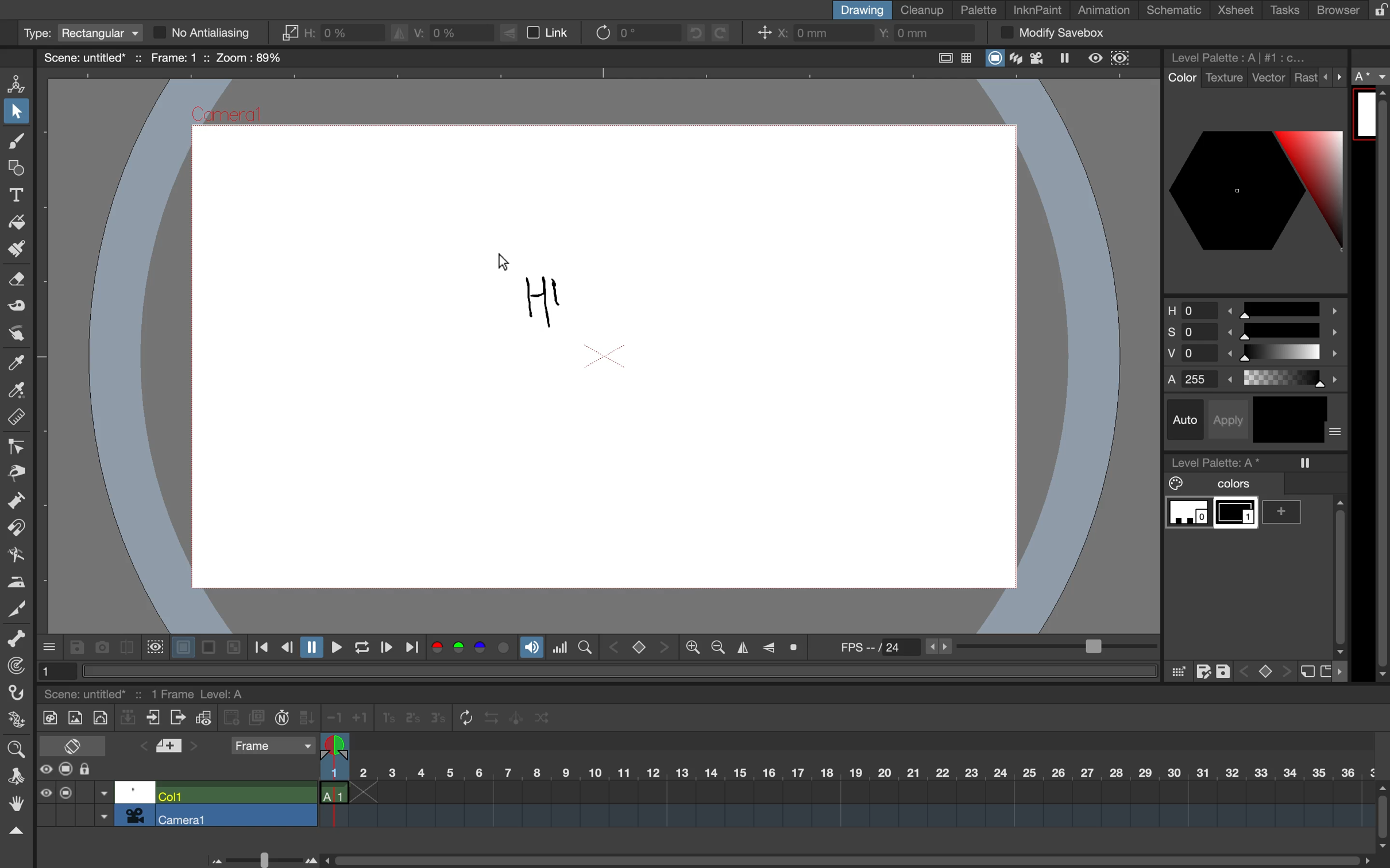 The image size is (1390, 868). What do you see at coordinates (462, 719) in the screenshot?
I see `repeat` at bounding box center [462, 719].